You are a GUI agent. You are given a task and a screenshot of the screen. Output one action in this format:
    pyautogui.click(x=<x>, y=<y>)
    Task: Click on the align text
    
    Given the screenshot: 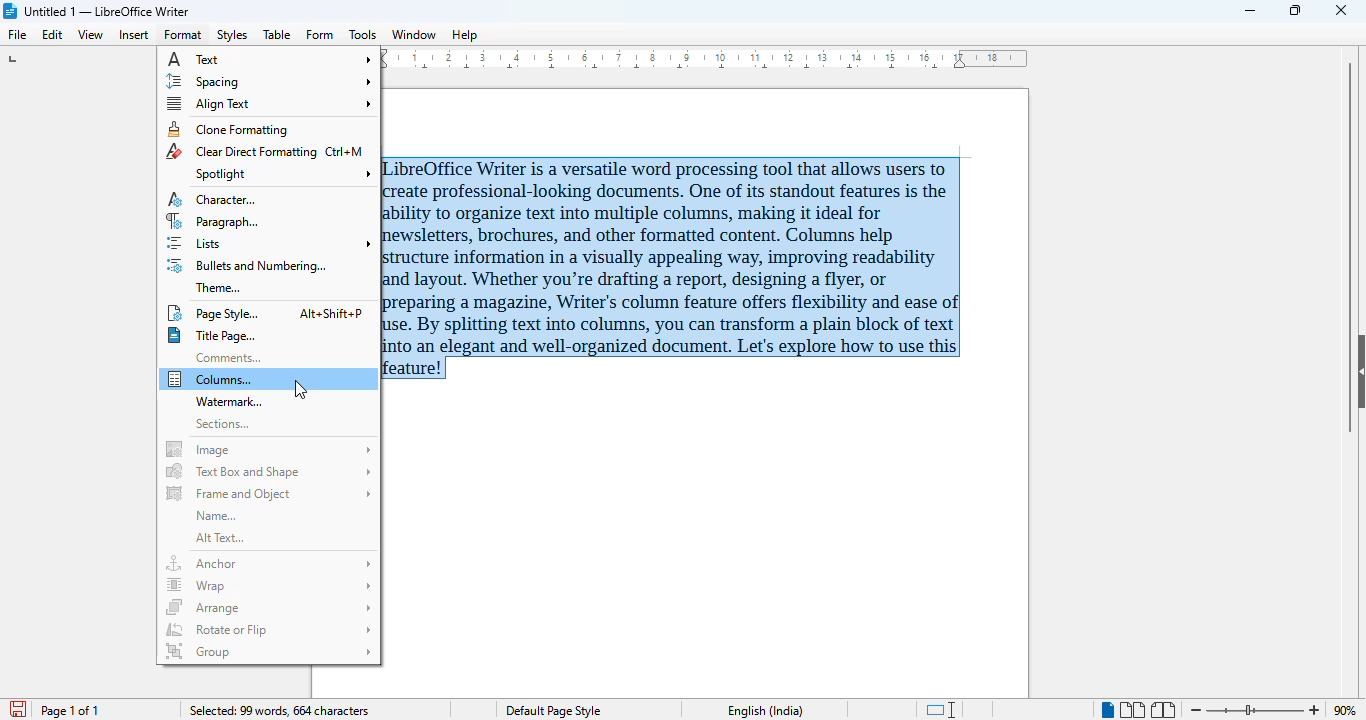 What is the action you would take?
    pyautogui.click(x=268, y=103)
    